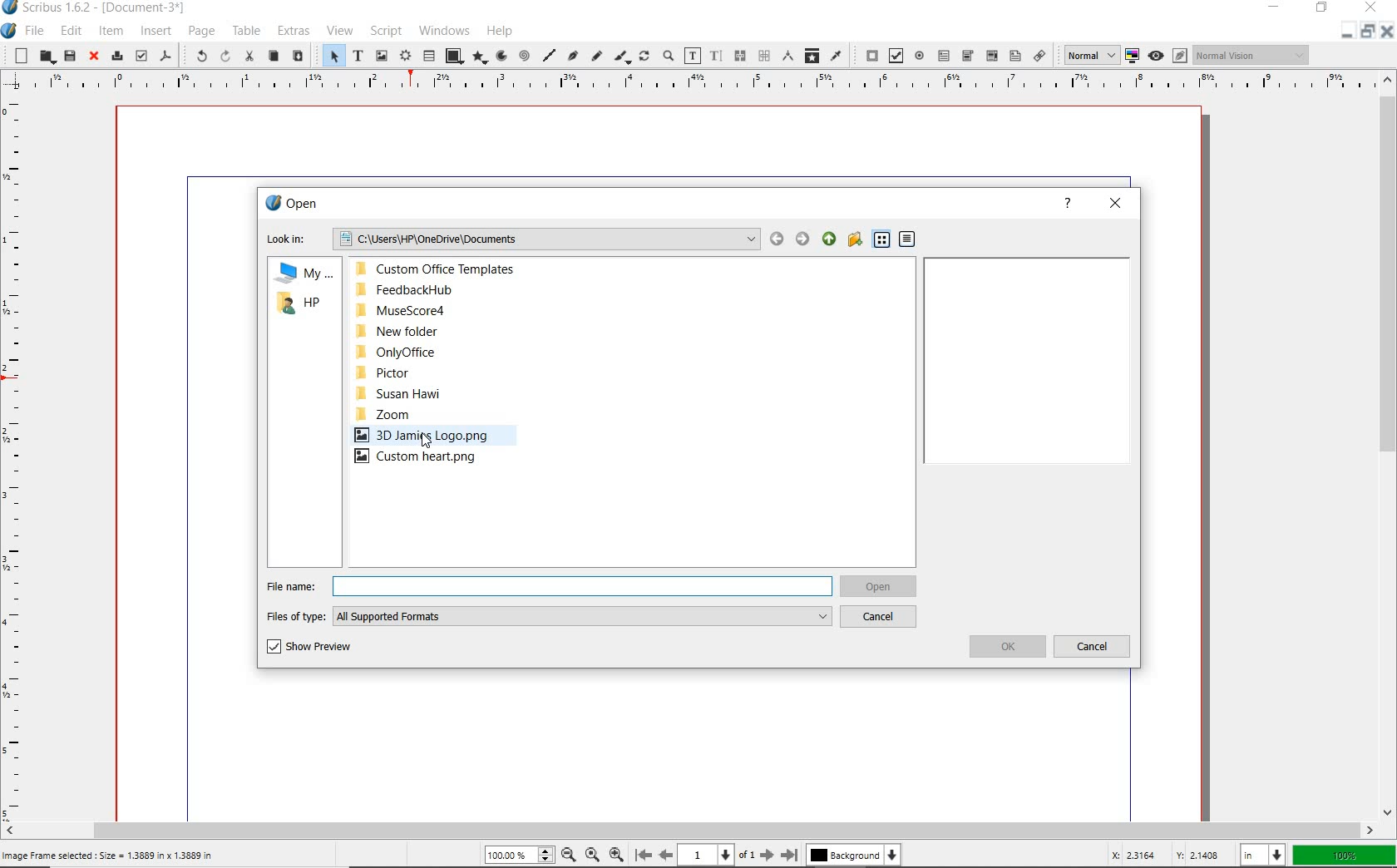 This screenshot has width=1397, height=868. Describe the element at coordinates (1041, 57) in the screenshot. I see `link annotation` at that location.